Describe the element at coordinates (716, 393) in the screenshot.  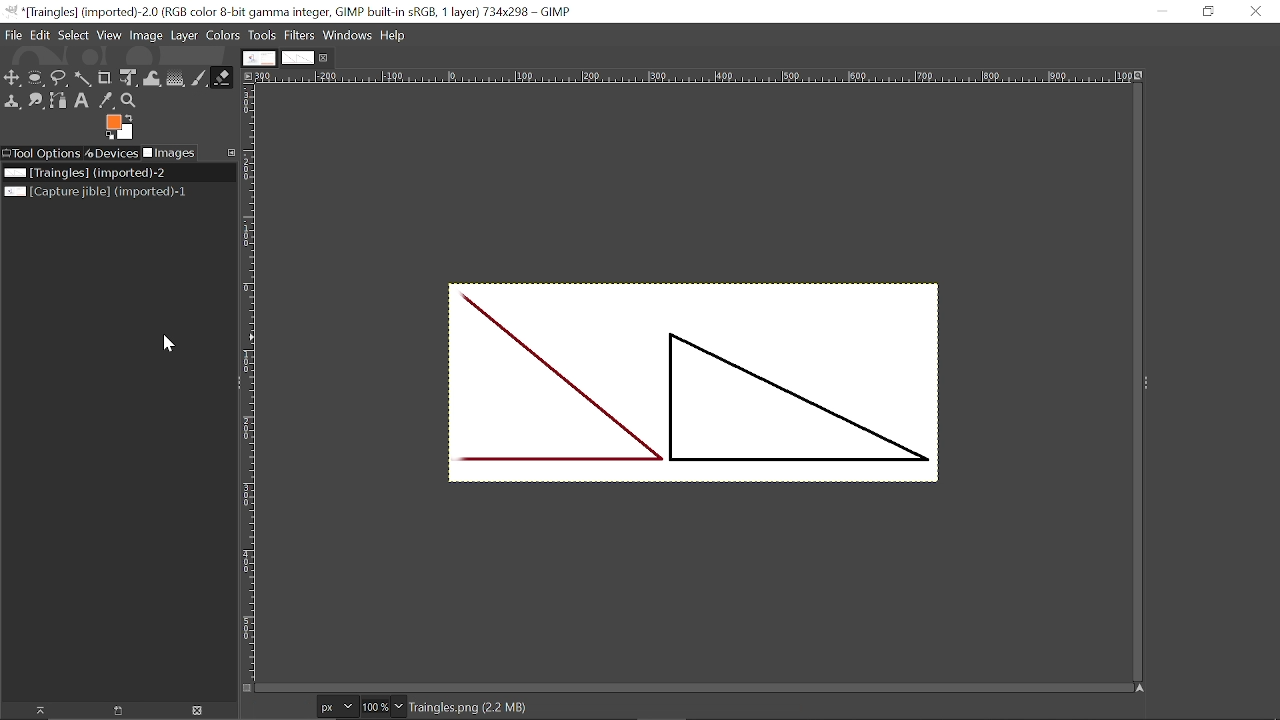
I see `Current image` at that location.